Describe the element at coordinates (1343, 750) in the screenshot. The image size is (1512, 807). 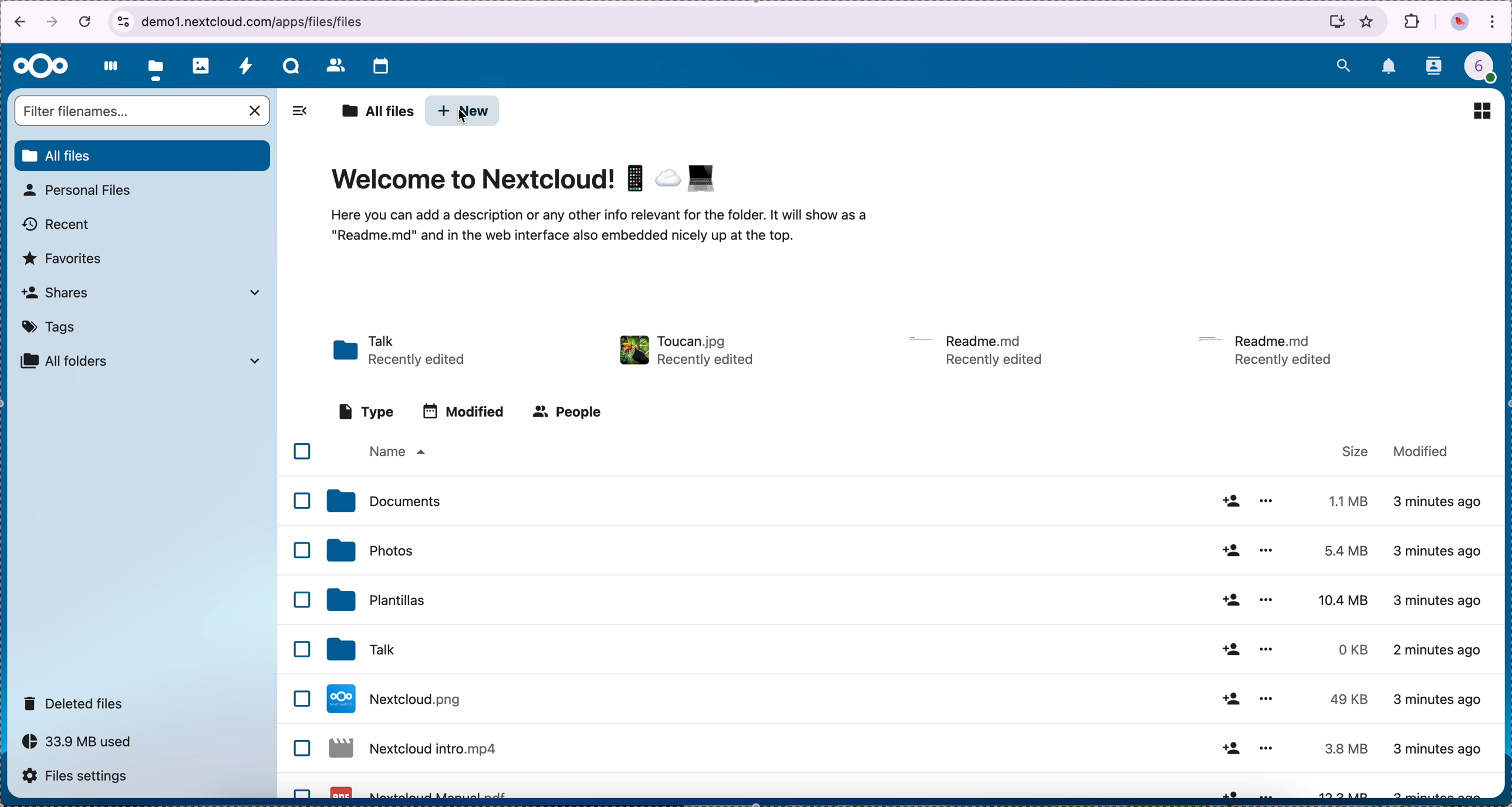
I see `3.8 MB` at that location.